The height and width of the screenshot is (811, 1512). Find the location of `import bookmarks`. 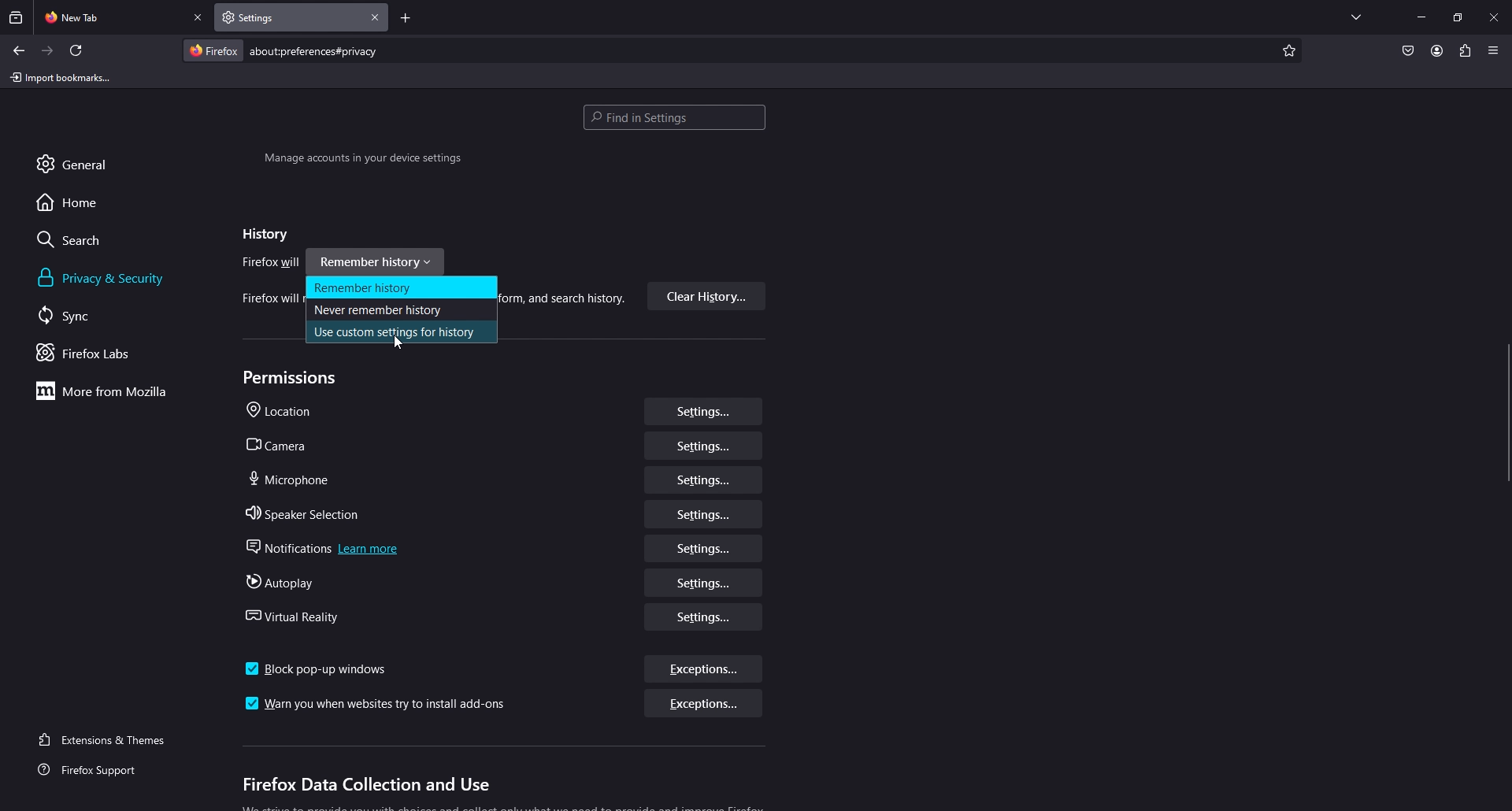

import bookmarks is located at coordinates (64, 76).